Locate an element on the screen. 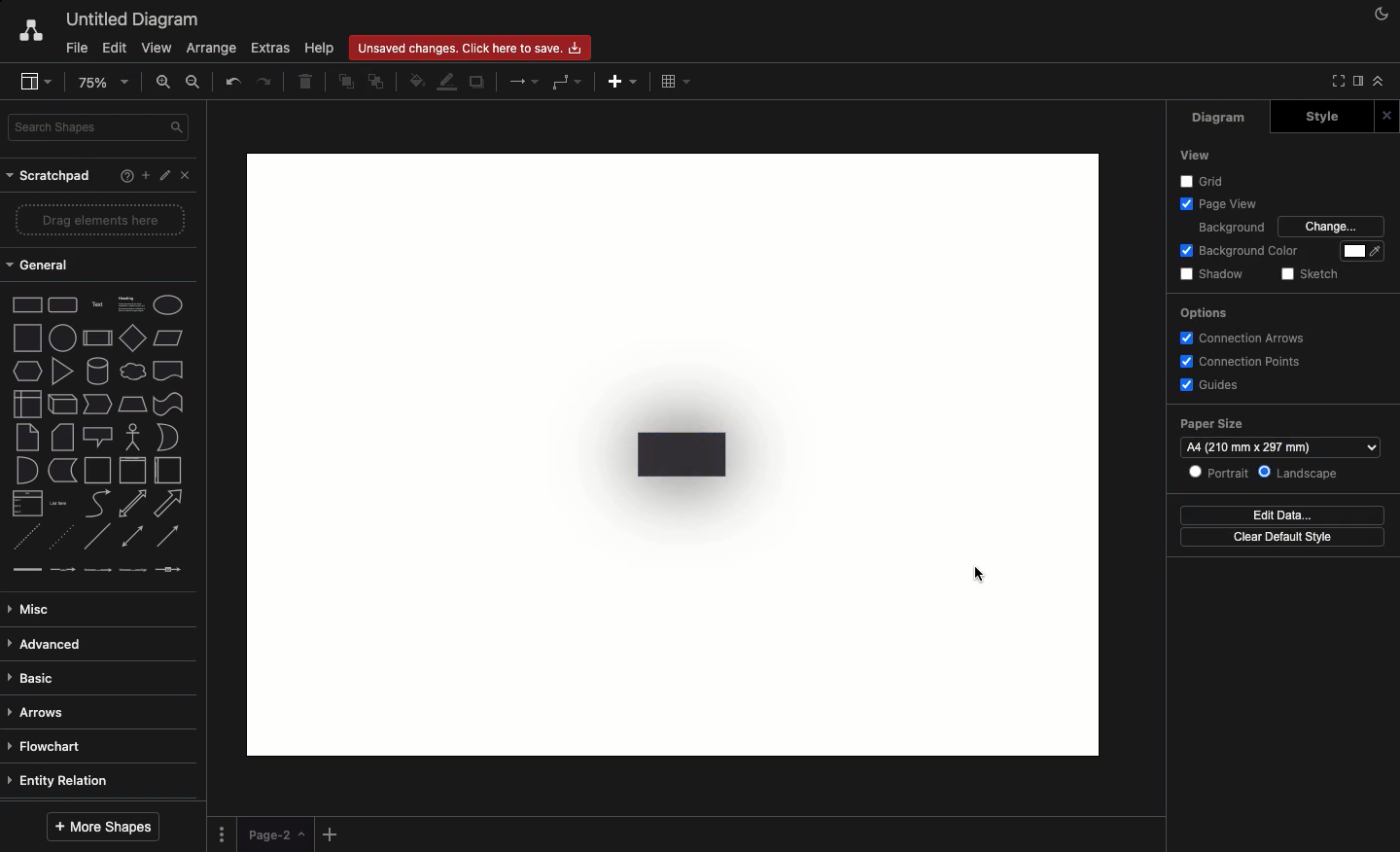 This screenshot has width=1400, height=852. Delete is located at coordinates (310, 84).